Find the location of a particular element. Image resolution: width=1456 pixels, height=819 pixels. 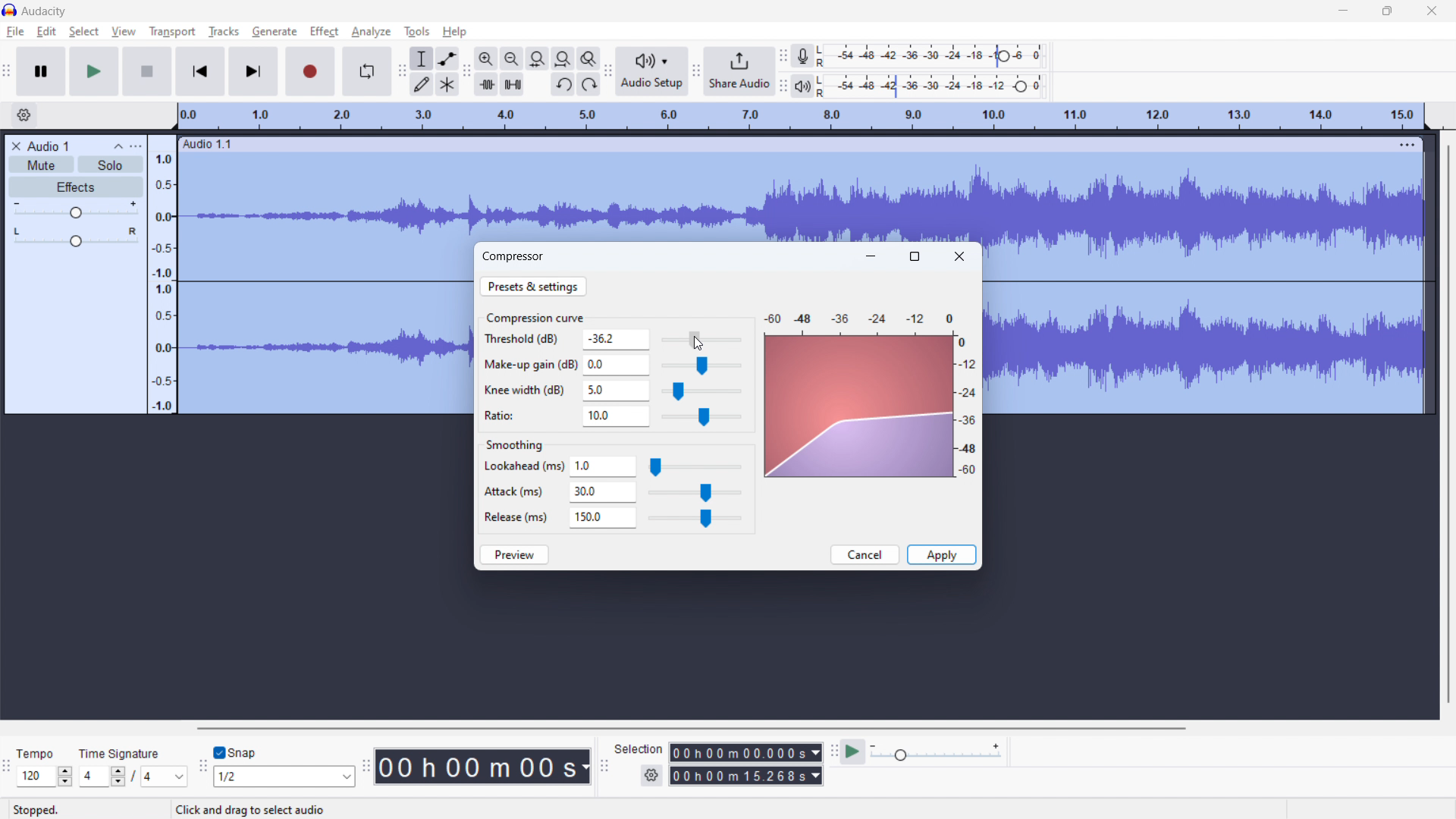

compressor is located at coordinates (514, 256).